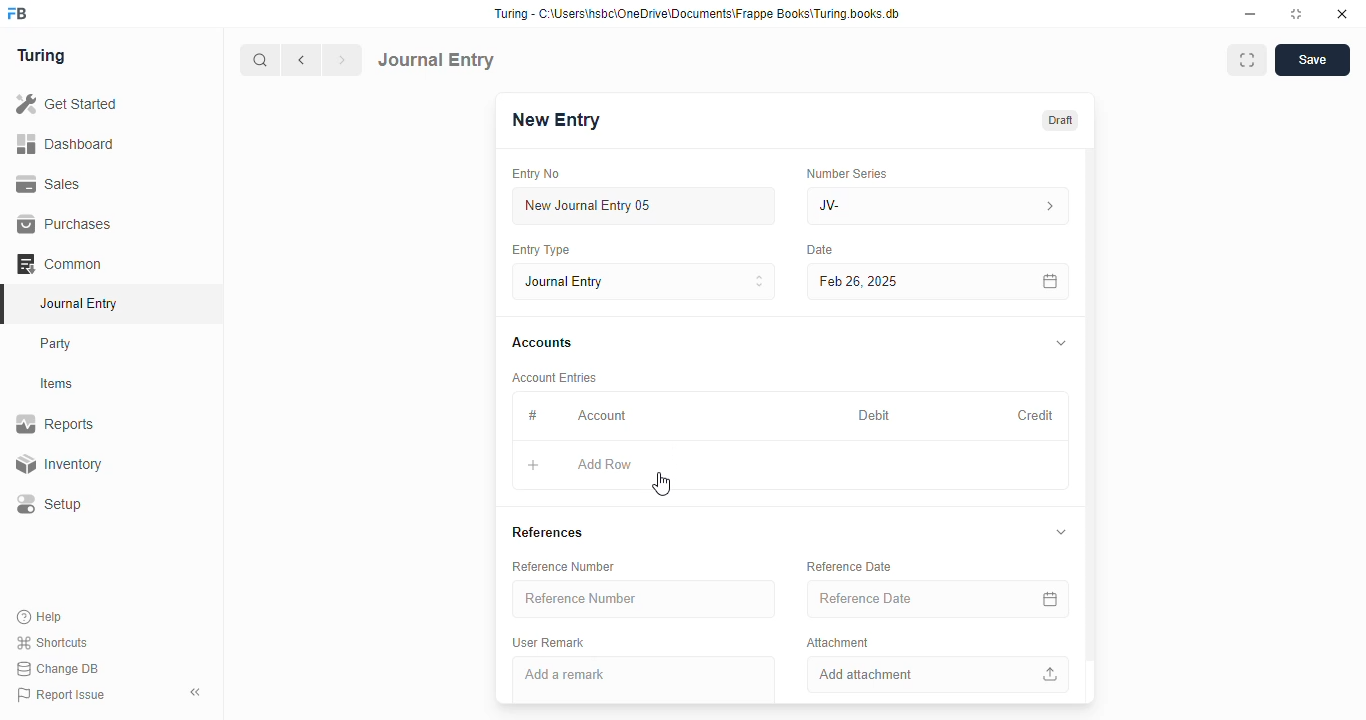 Image resolution: width=1366 pixels, height=720 pixels. Describe the element at coordinates (1061, 532) in the screenshot. I see `toggle expand/collapse` at that location.